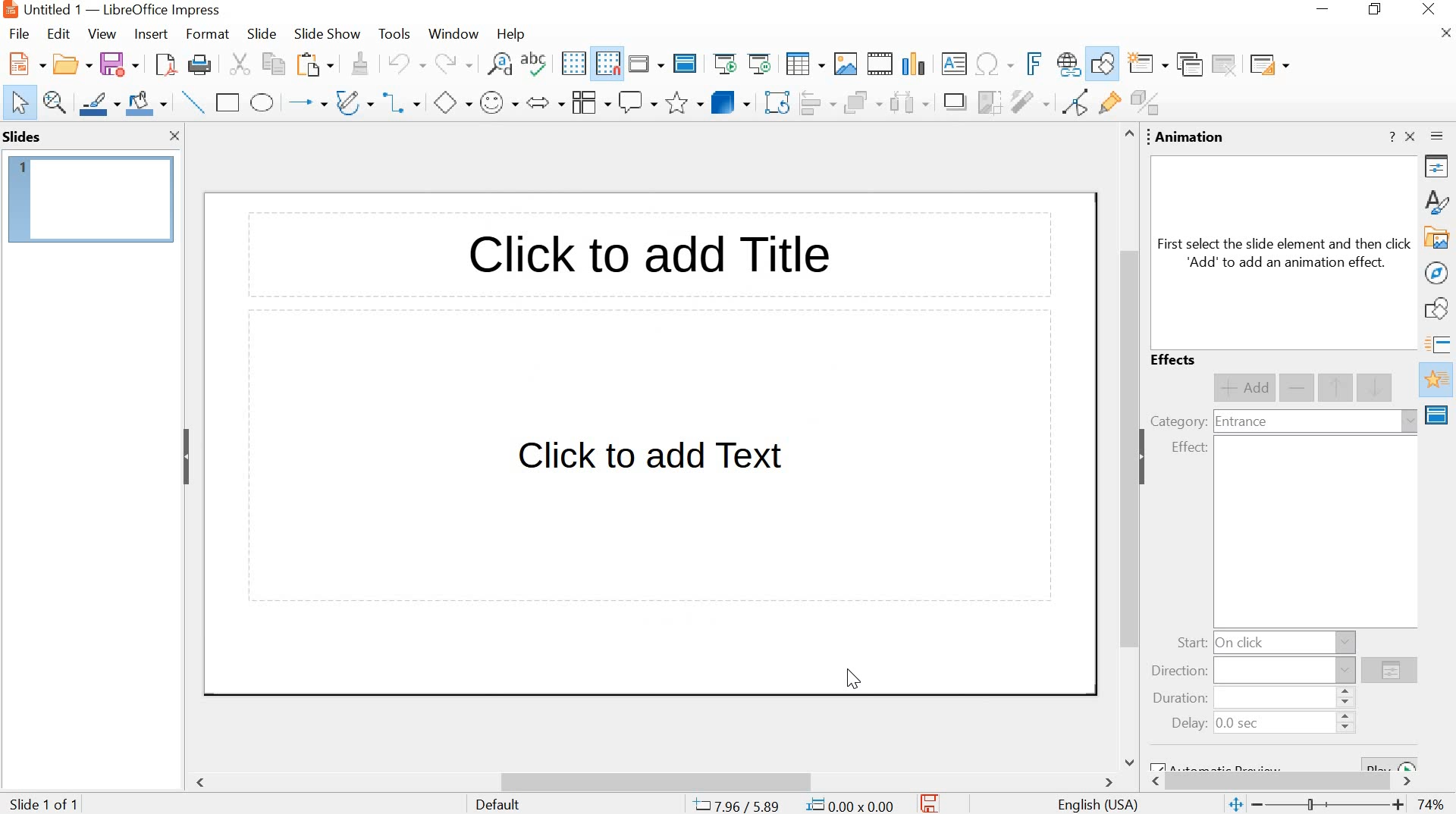  I want to click on export as pdf, so click(163, 66).